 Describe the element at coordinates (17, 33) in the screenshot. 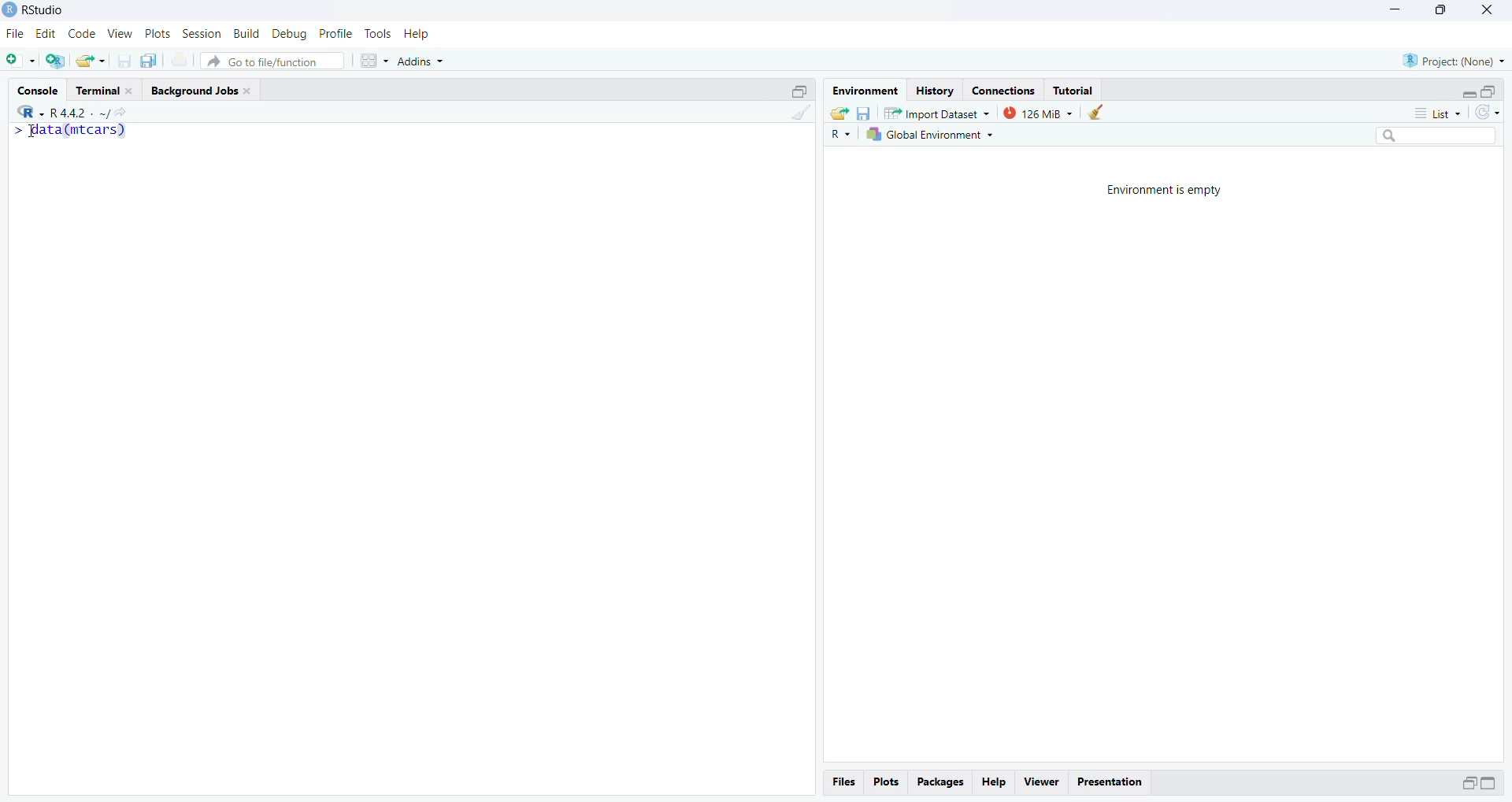

I see `File` at that location.